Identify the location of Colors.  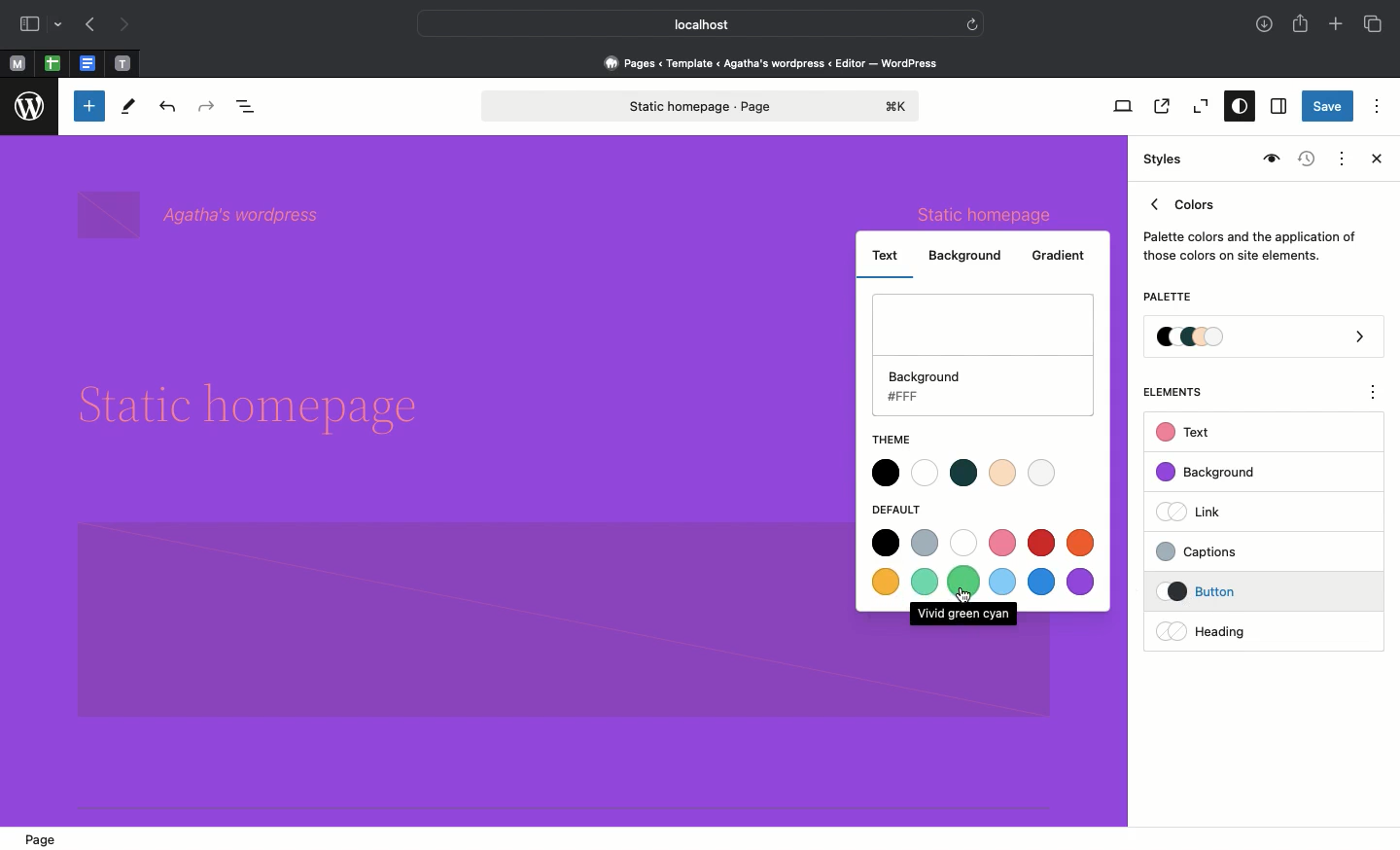
(1250, 226).